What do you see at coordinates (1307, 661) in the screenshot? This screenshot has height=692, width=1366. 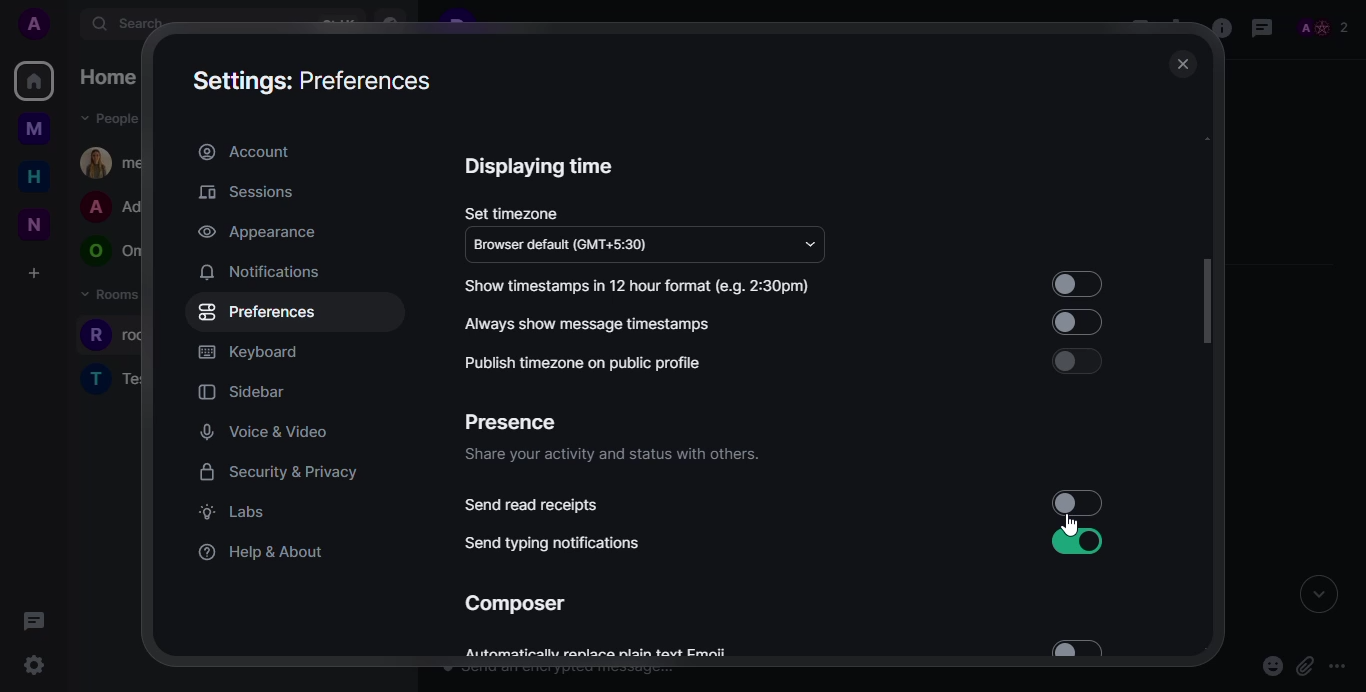 I see `attach` at bounding box center [1307, 661].